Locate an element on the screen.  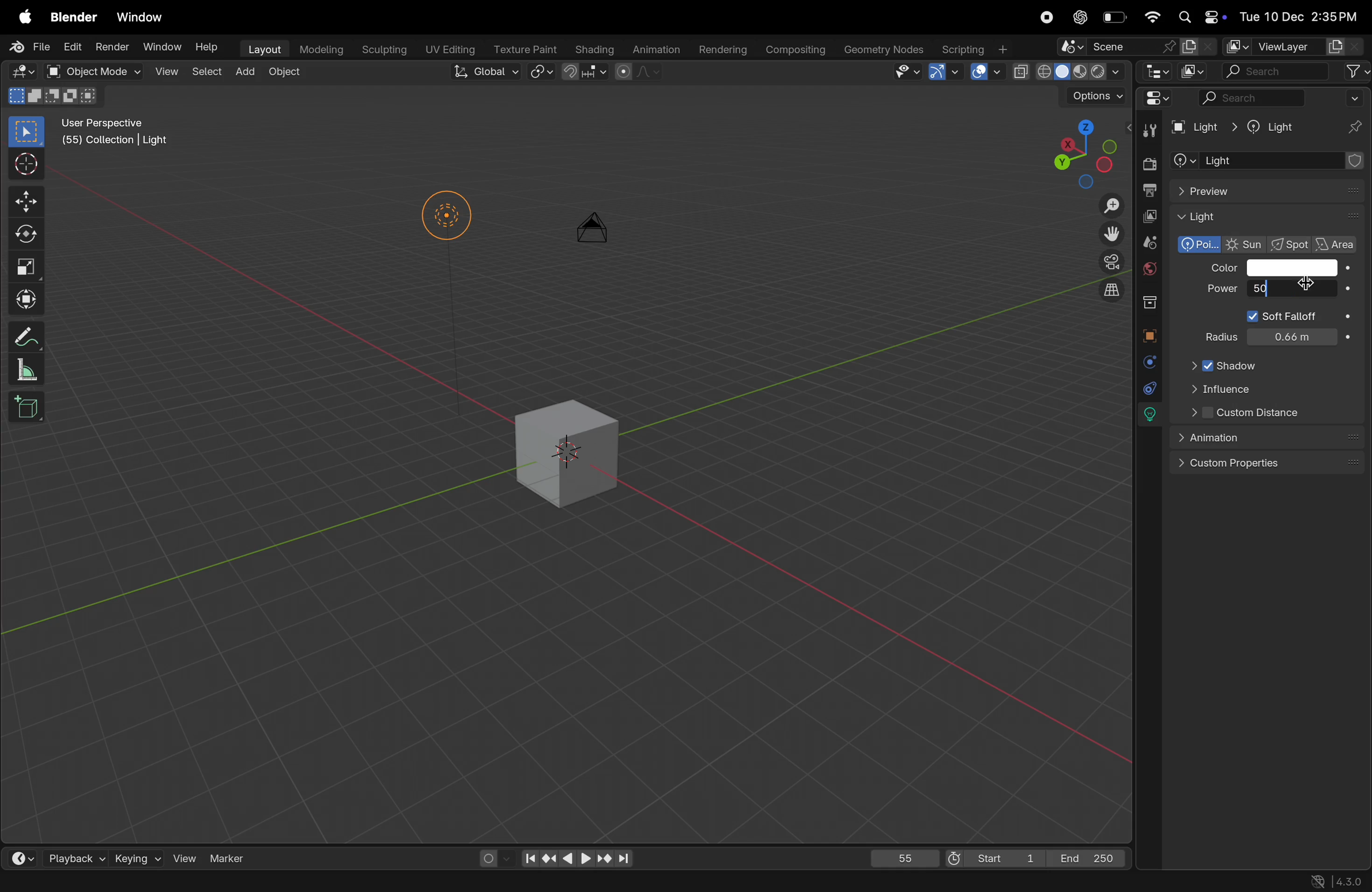
view is located at coordinates (165, 73).